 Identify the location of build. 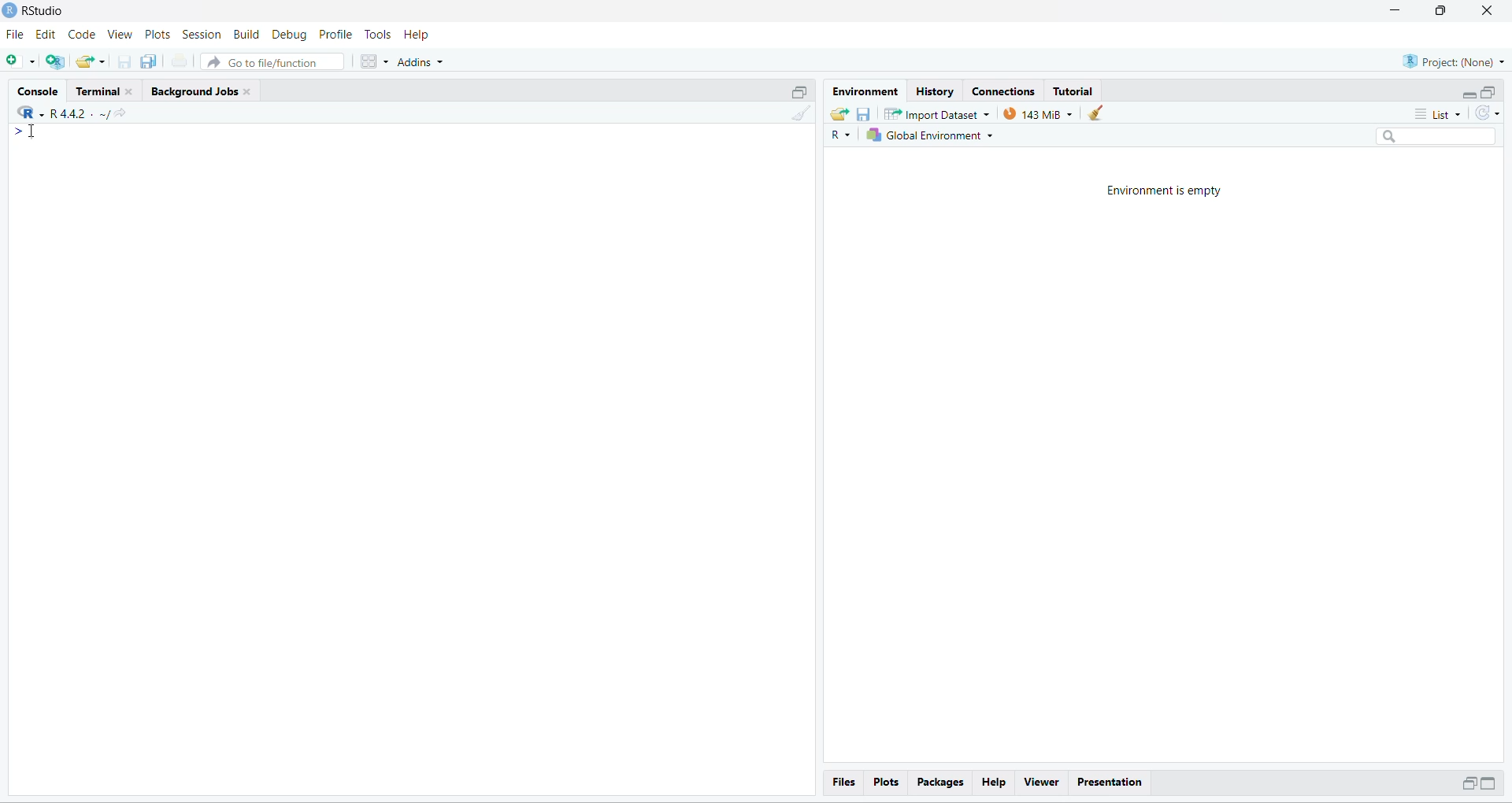
(247, 35).